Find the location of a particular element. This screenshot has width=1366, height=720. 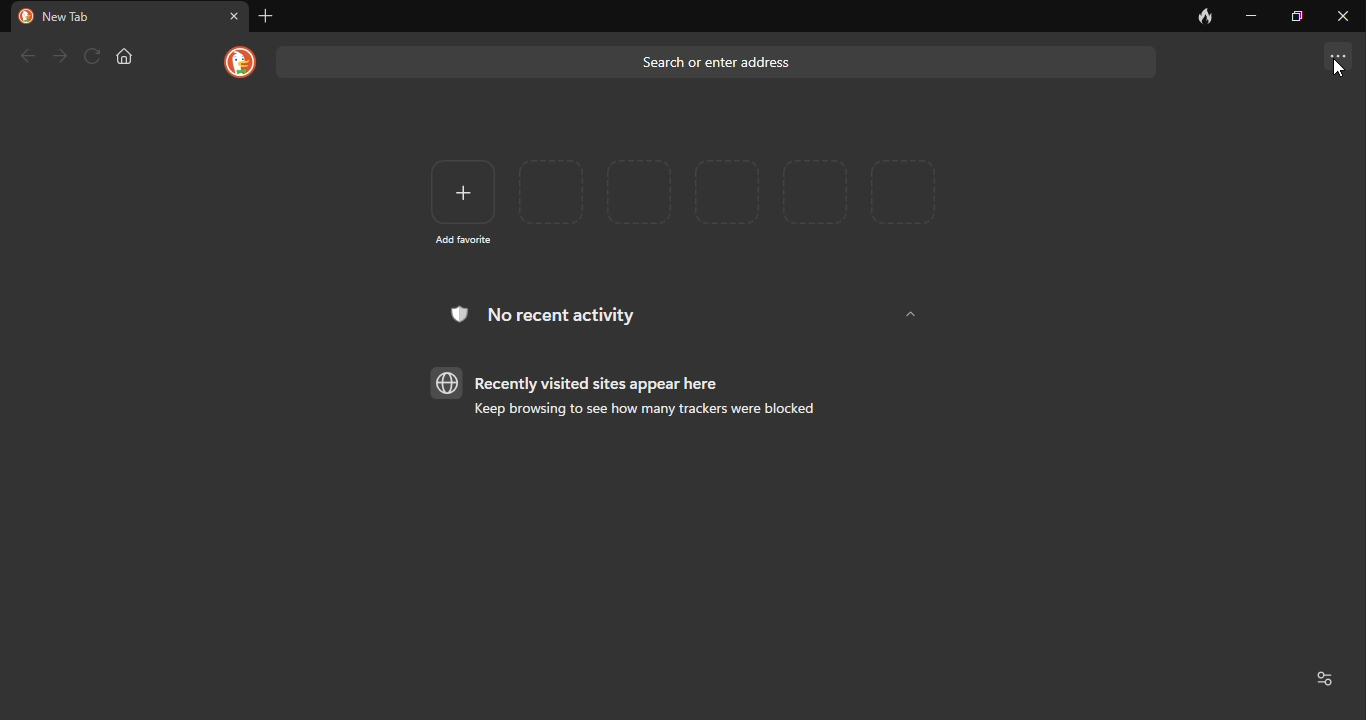

new tab  is located at coordinates (73, 17).